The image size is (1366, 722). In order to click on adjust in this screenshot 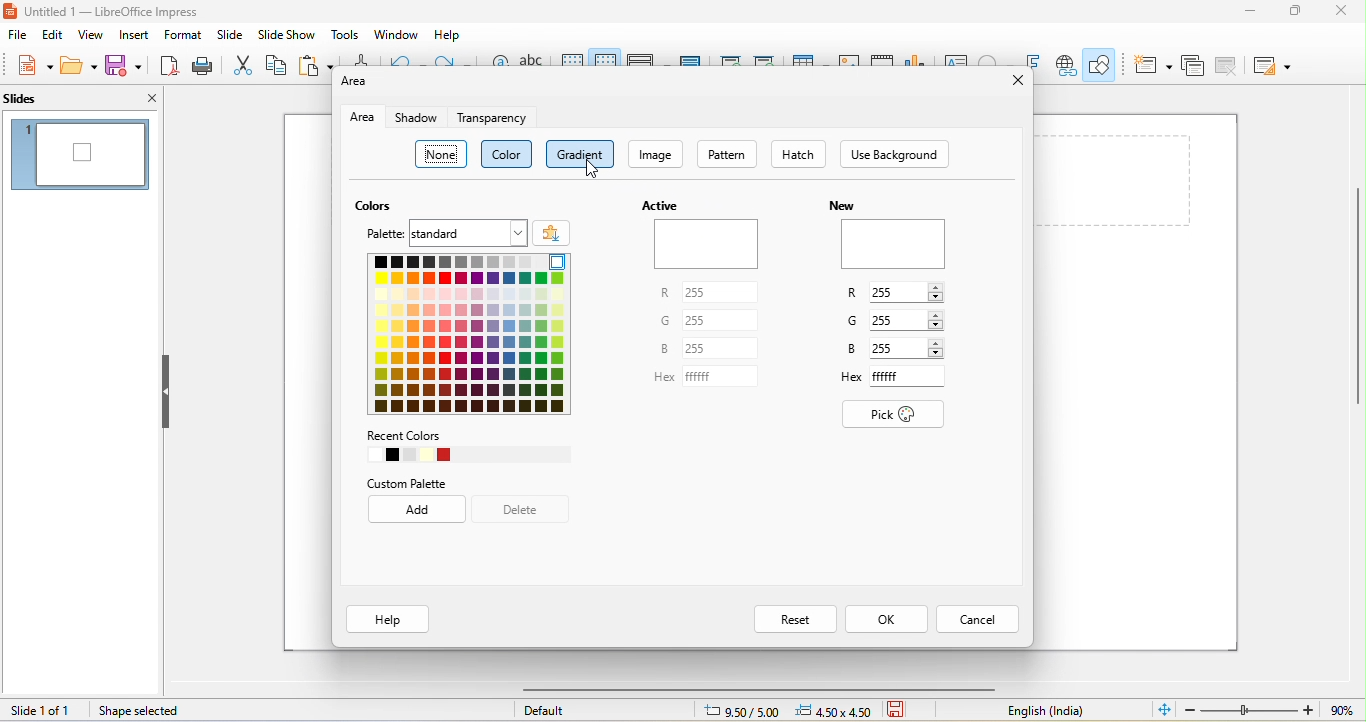, I will do `click(941, 290)`.